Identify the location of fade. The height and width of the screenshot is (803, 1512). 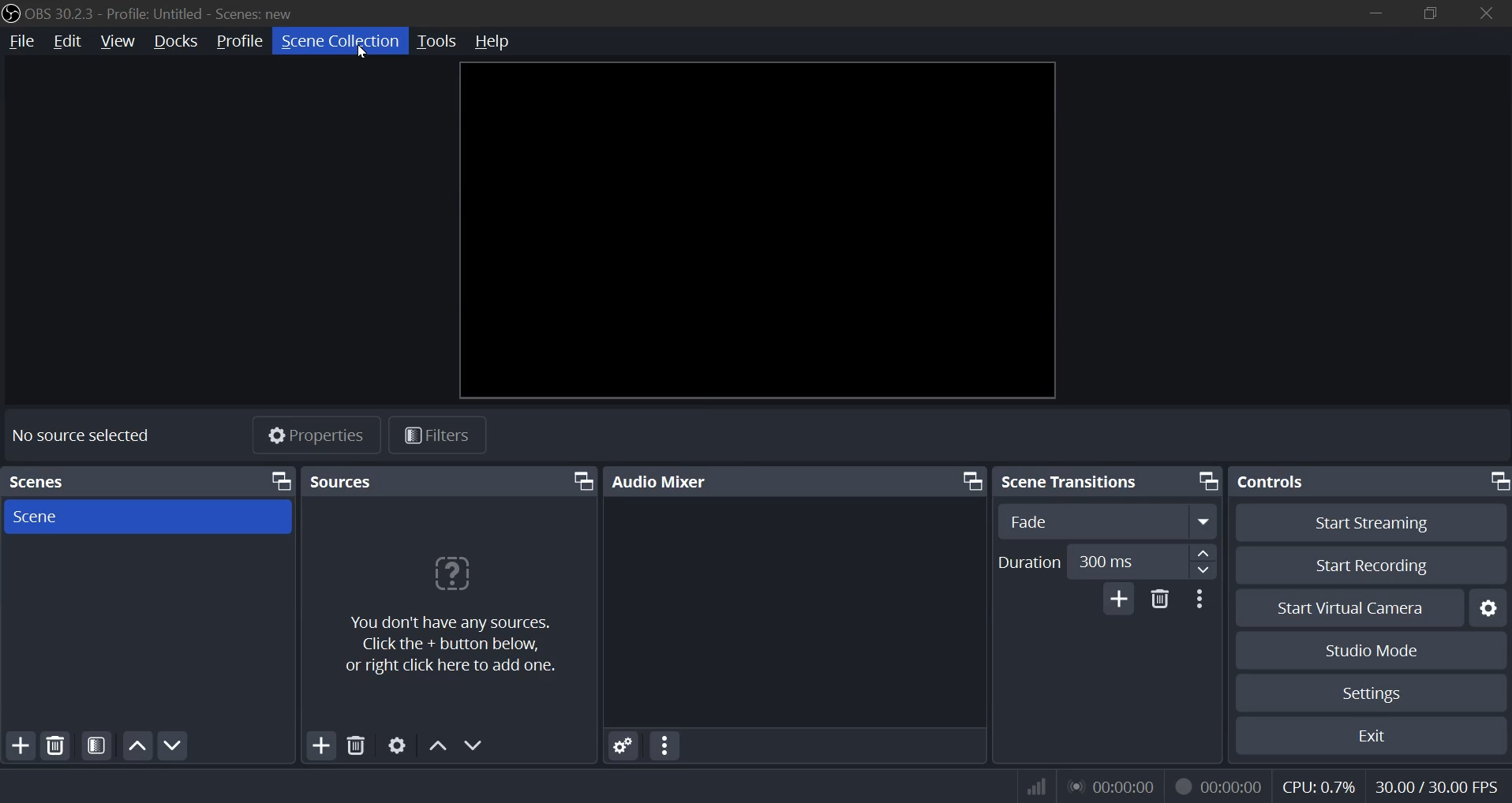
(1028, 521).